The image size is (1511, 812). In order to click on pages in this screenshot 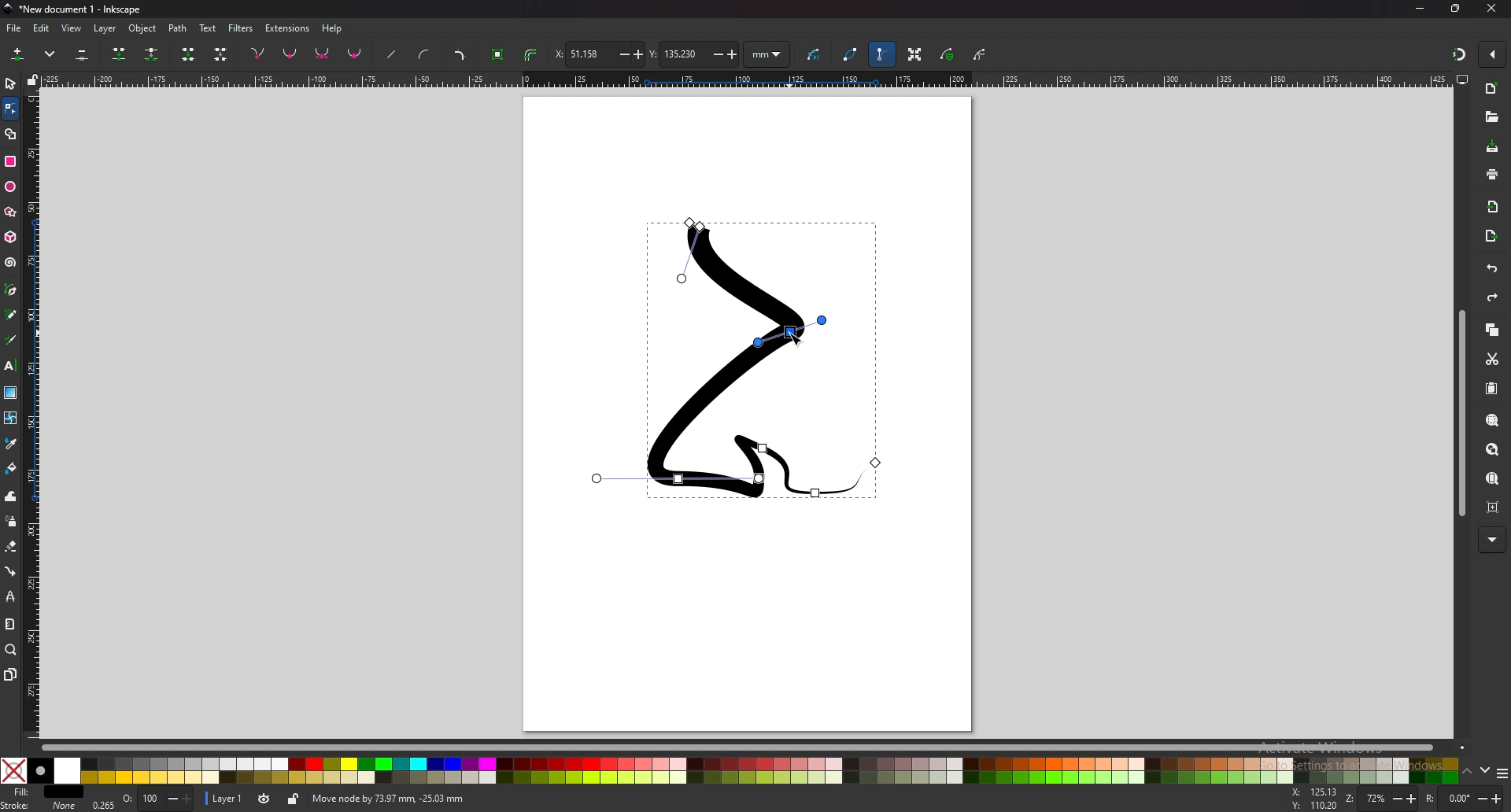, I will do `click(11, 674)`.